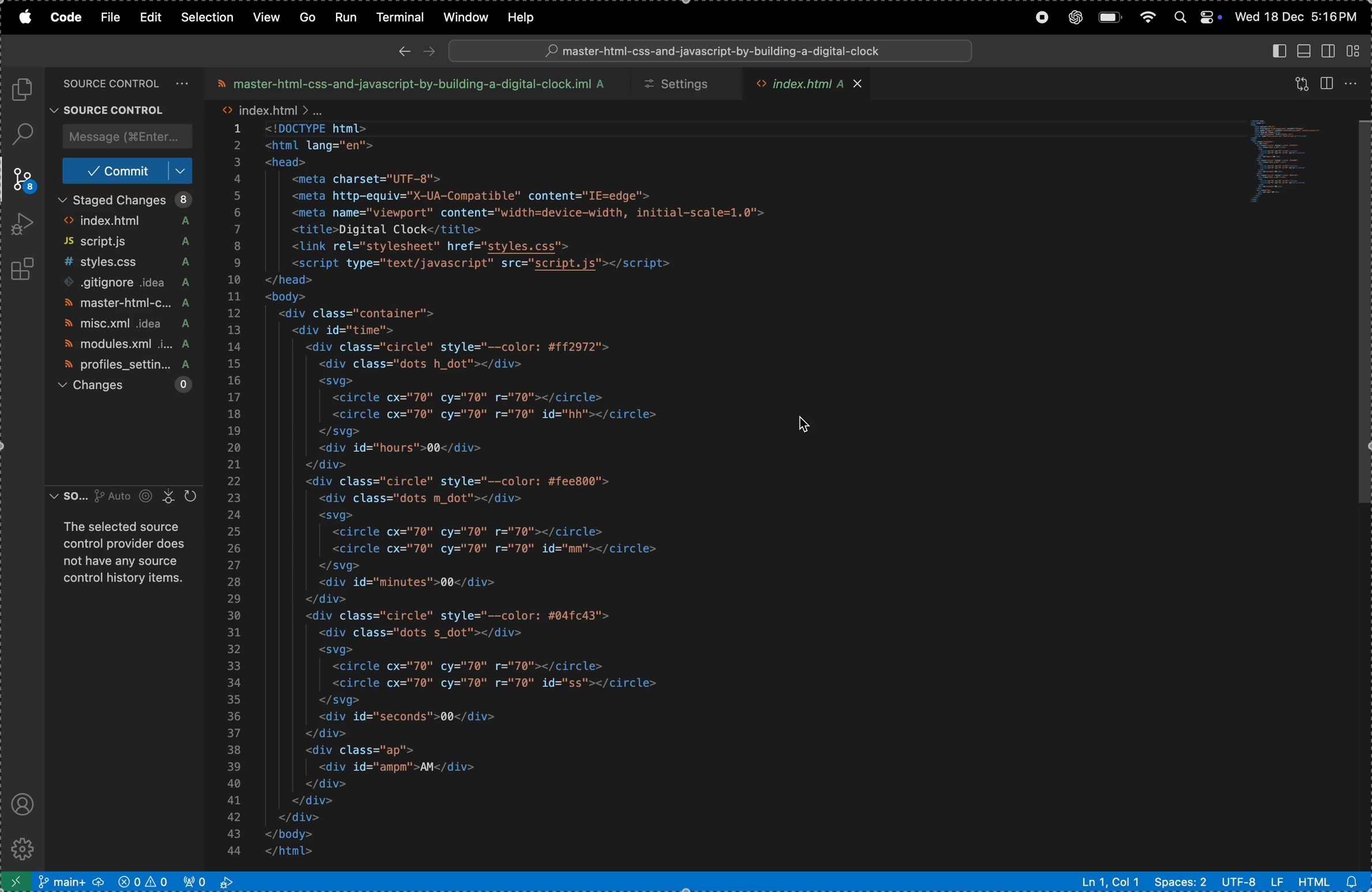  I want to click on Main, so click(72, 881).